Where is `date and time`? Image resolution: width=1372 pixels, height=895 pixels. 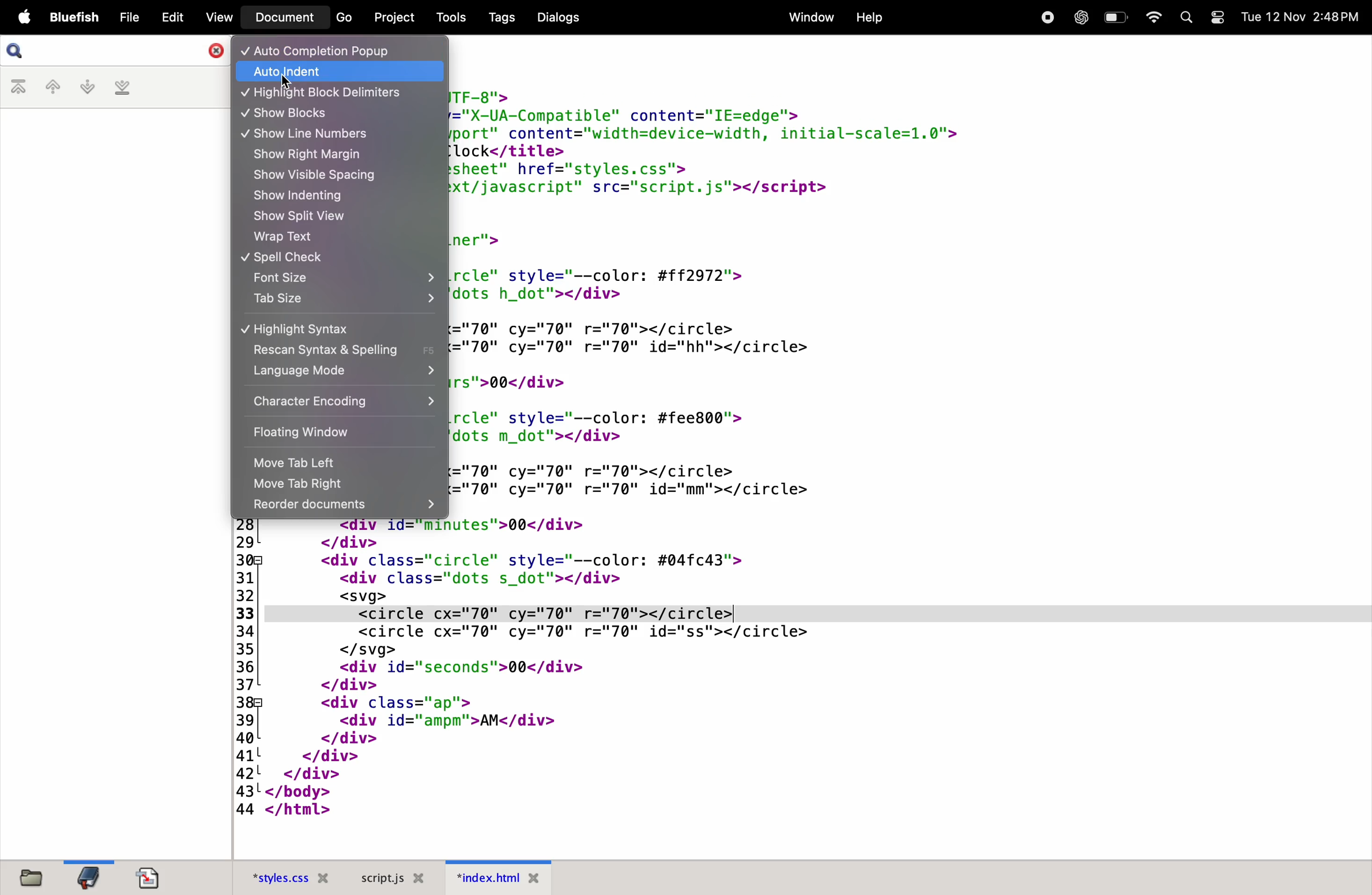
date and time is located at coordinates (1302, 16).